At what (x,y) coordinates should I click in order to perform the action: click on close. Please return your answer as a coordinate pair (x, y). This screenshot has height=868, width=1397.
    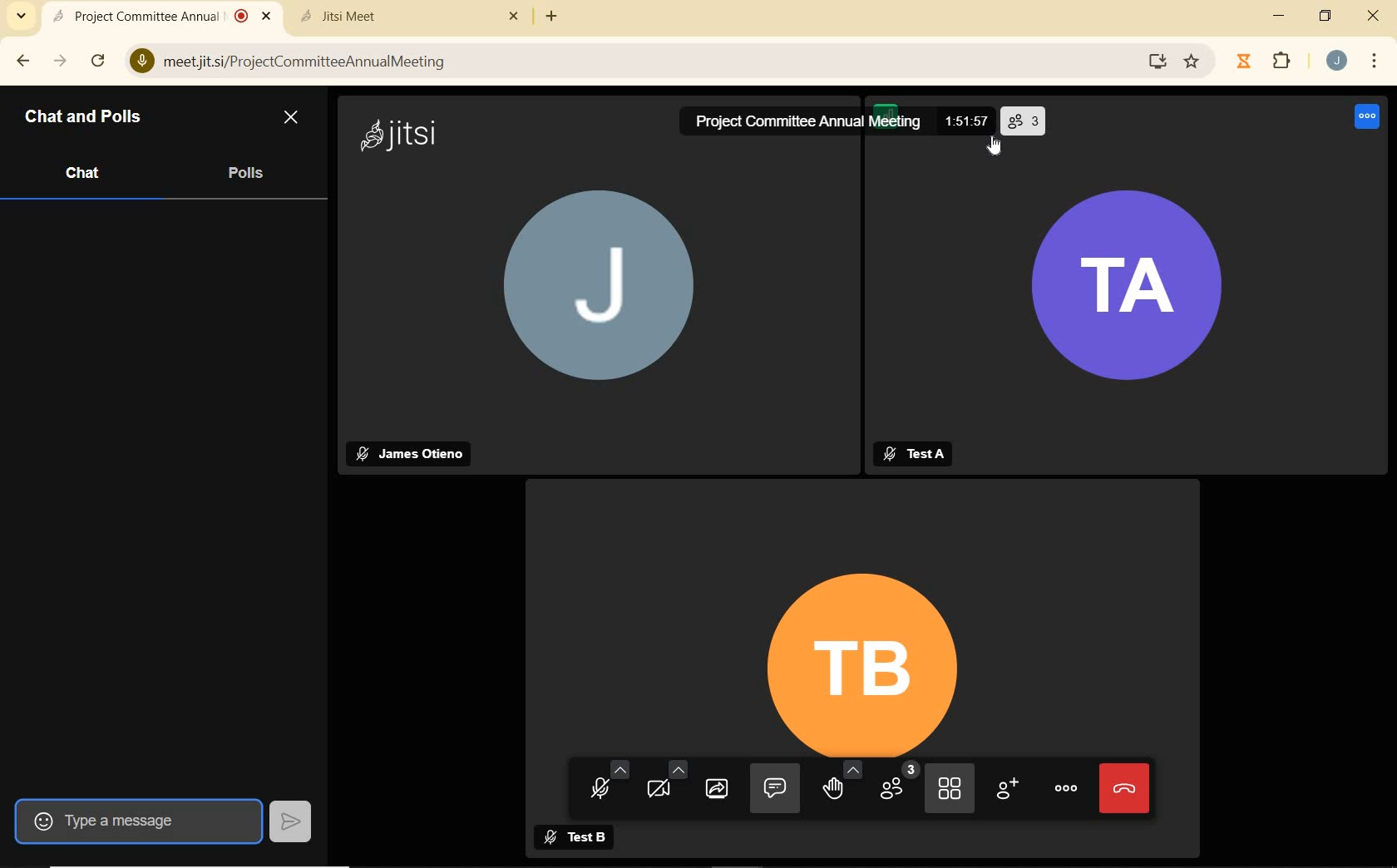
    Looking at the image, I should click on (294, 119).